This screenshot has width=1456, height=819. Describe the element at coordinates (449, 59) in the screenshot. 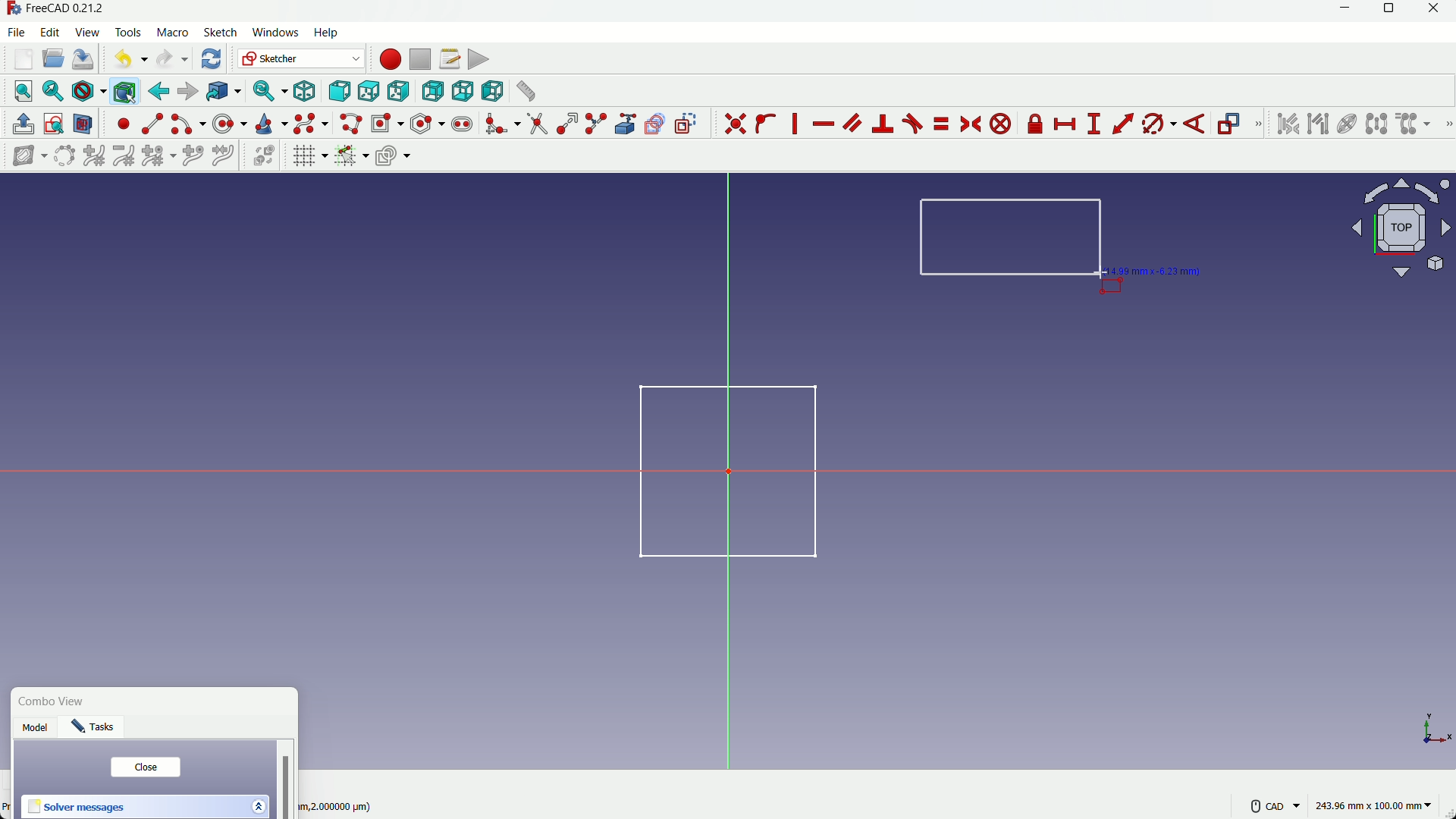

I see `macros setting` at that location.